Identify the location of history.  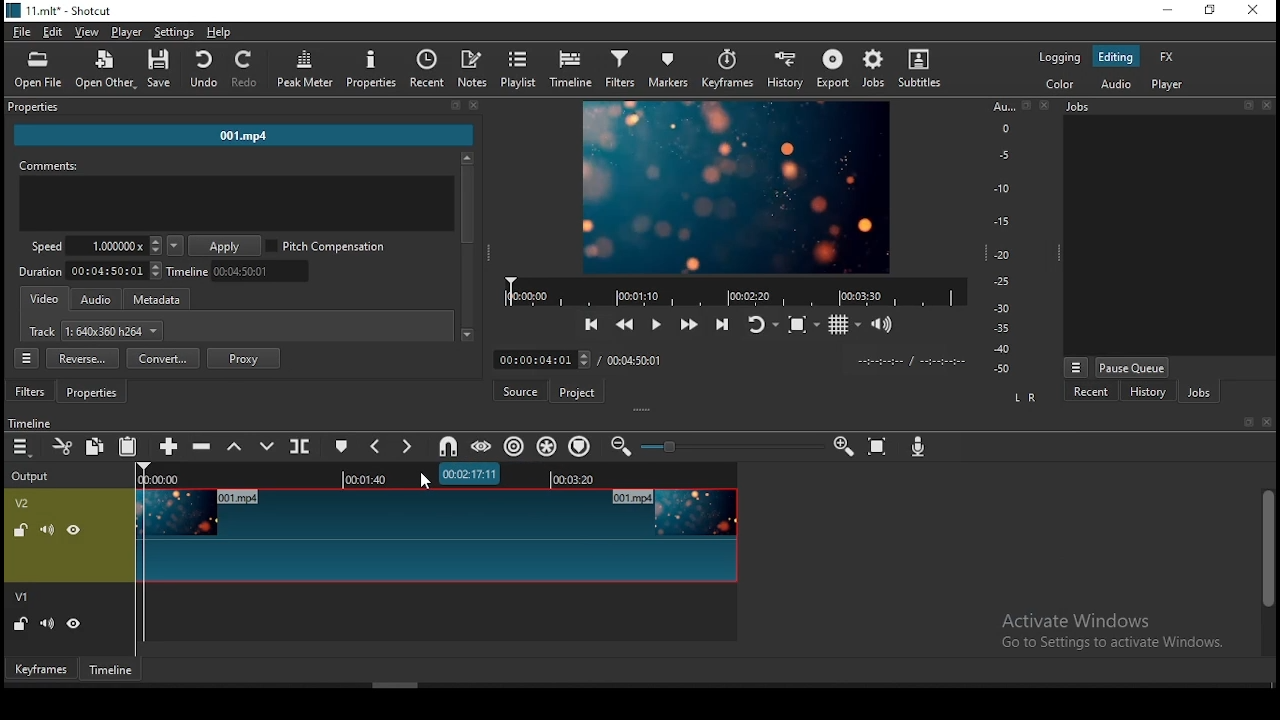
(790, 70).